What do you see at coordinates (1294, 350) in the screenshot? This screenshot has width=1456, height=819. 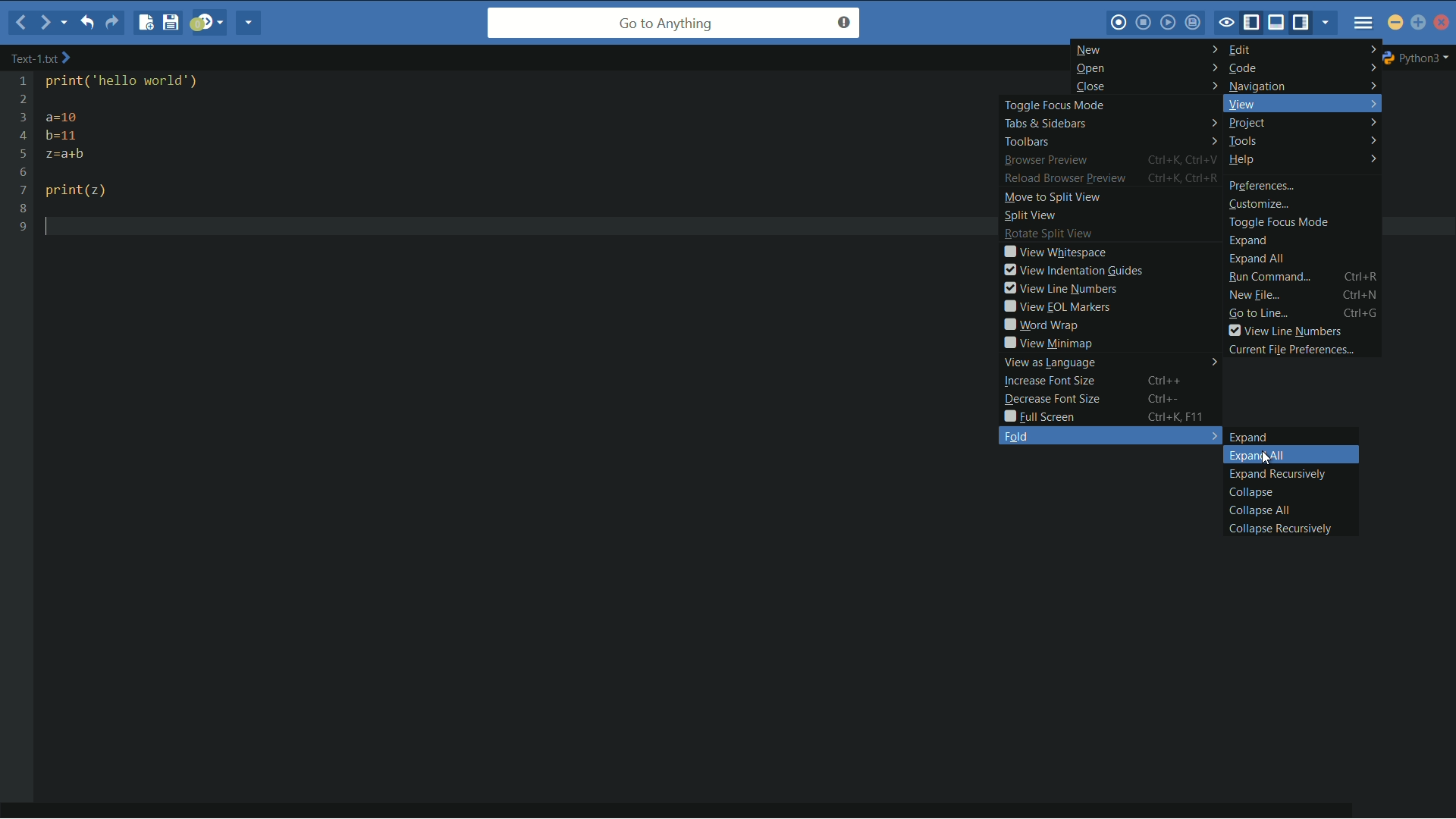 I see `current file preferences` at bounding box center [1294, 350].